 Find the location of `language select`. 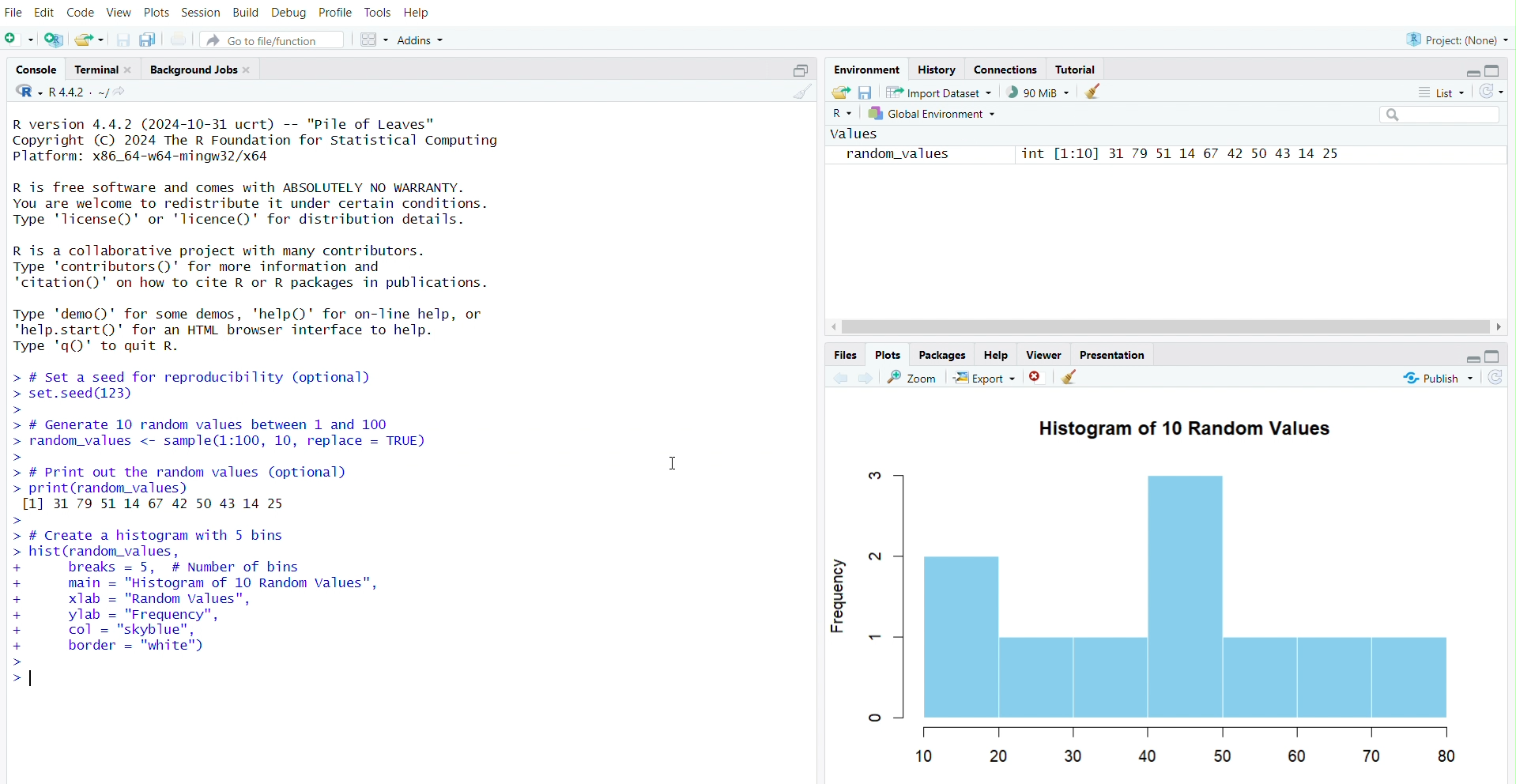

language select is located at coordinates (843, 115).